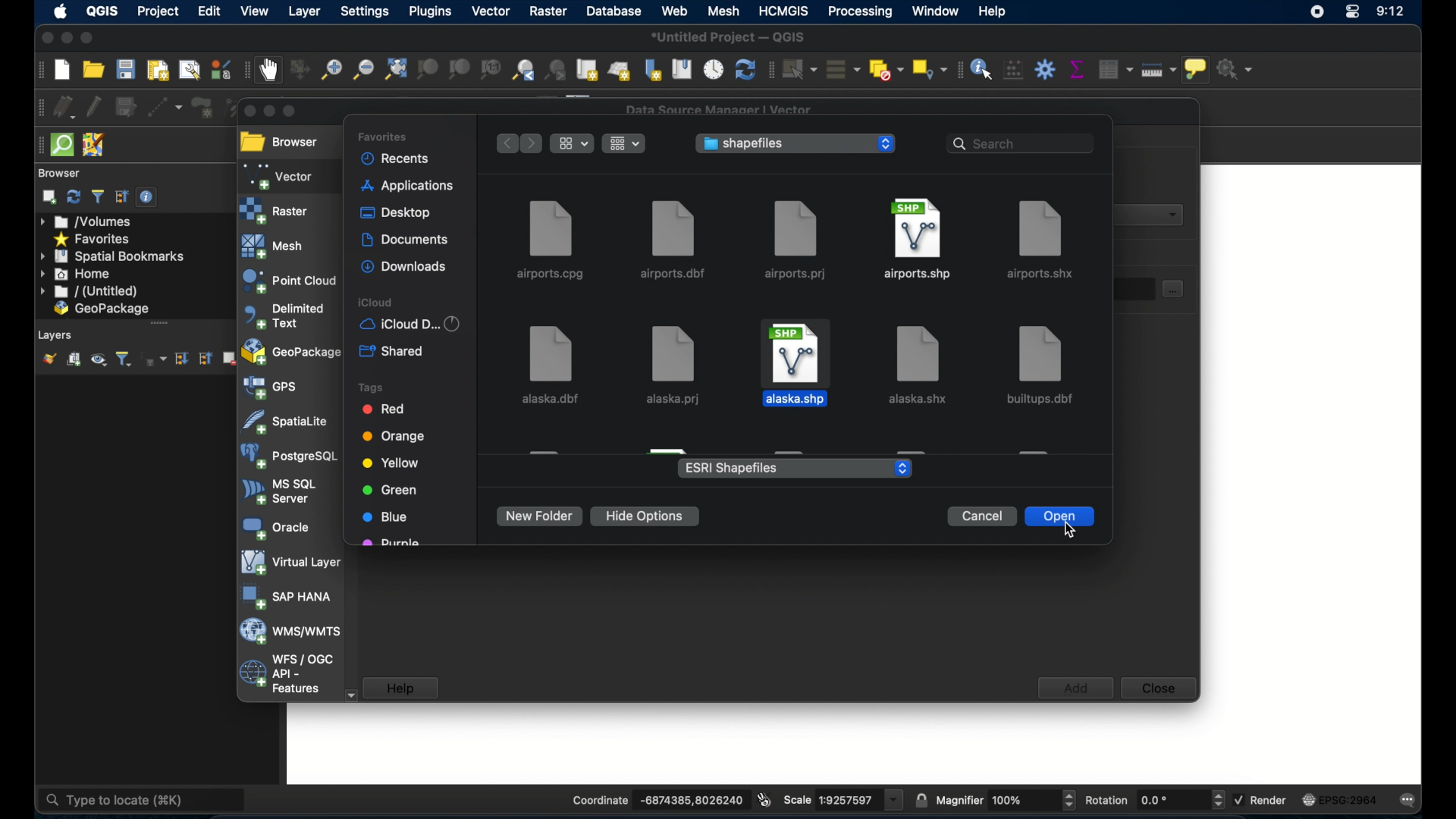 This screenshot has width=1456, height=819. Describe the element at coordinates (1058, 517) in the screenshot. I see `open` at that location.